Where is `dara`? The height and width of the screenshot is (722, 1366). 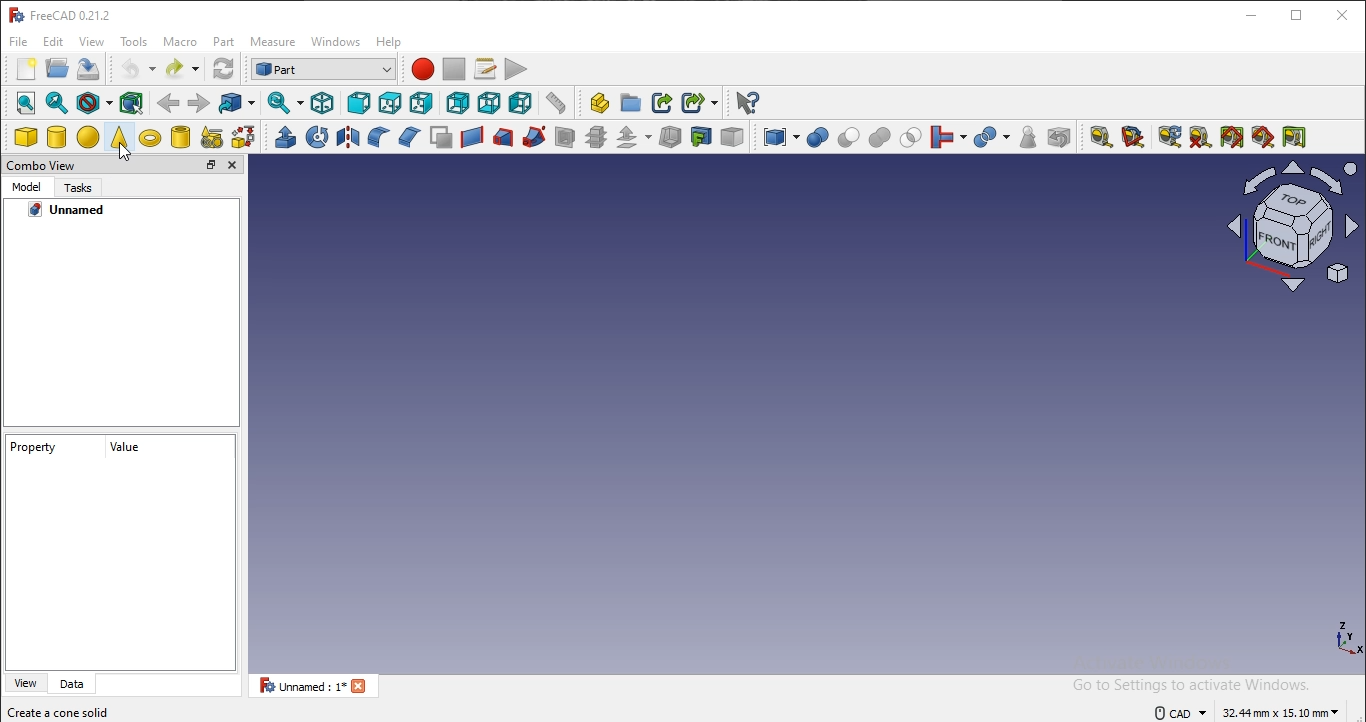 dara is located at coordinates (76, 682).